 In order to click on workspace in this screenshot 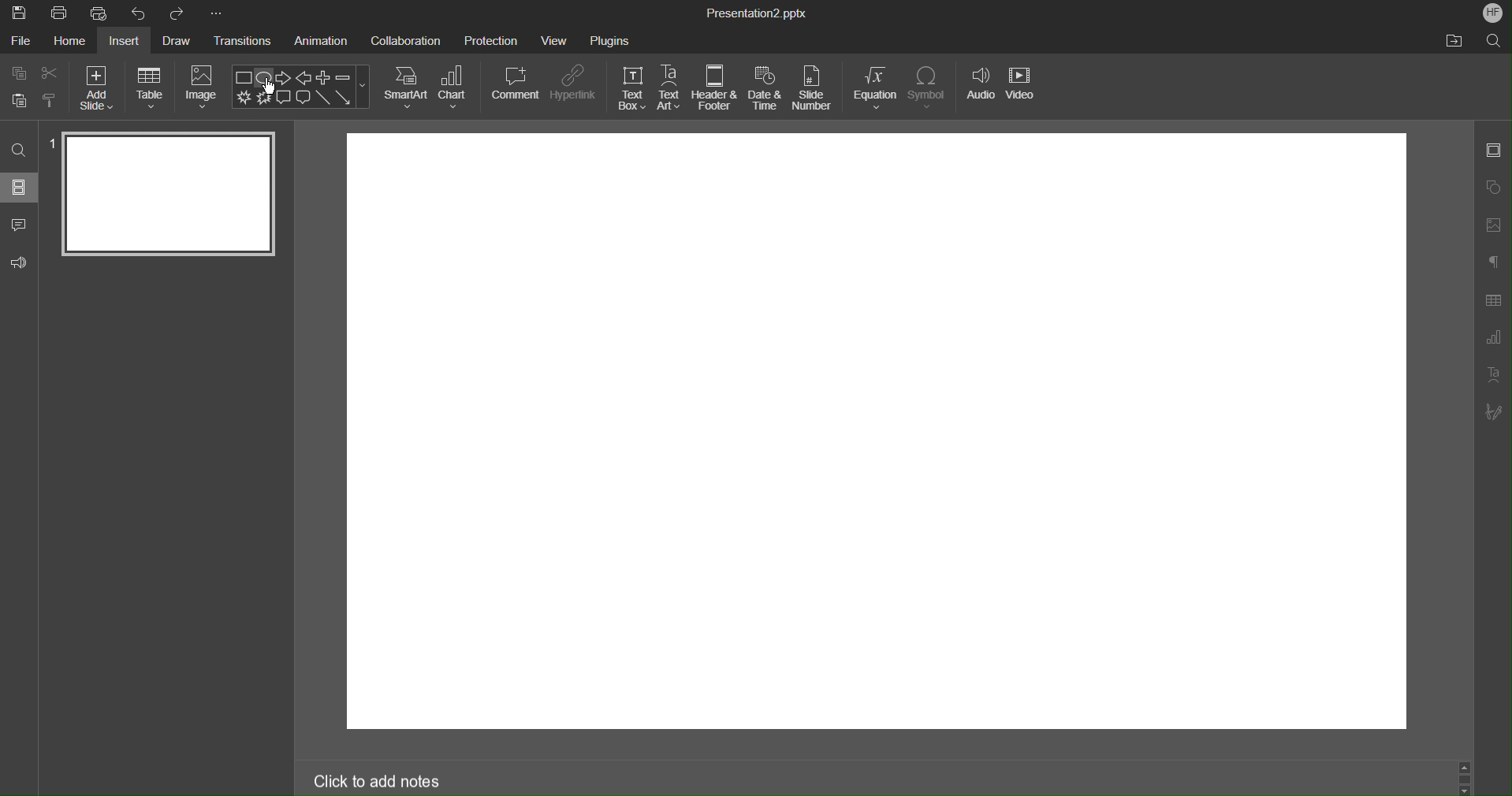, I will do `click(880, 430)`.